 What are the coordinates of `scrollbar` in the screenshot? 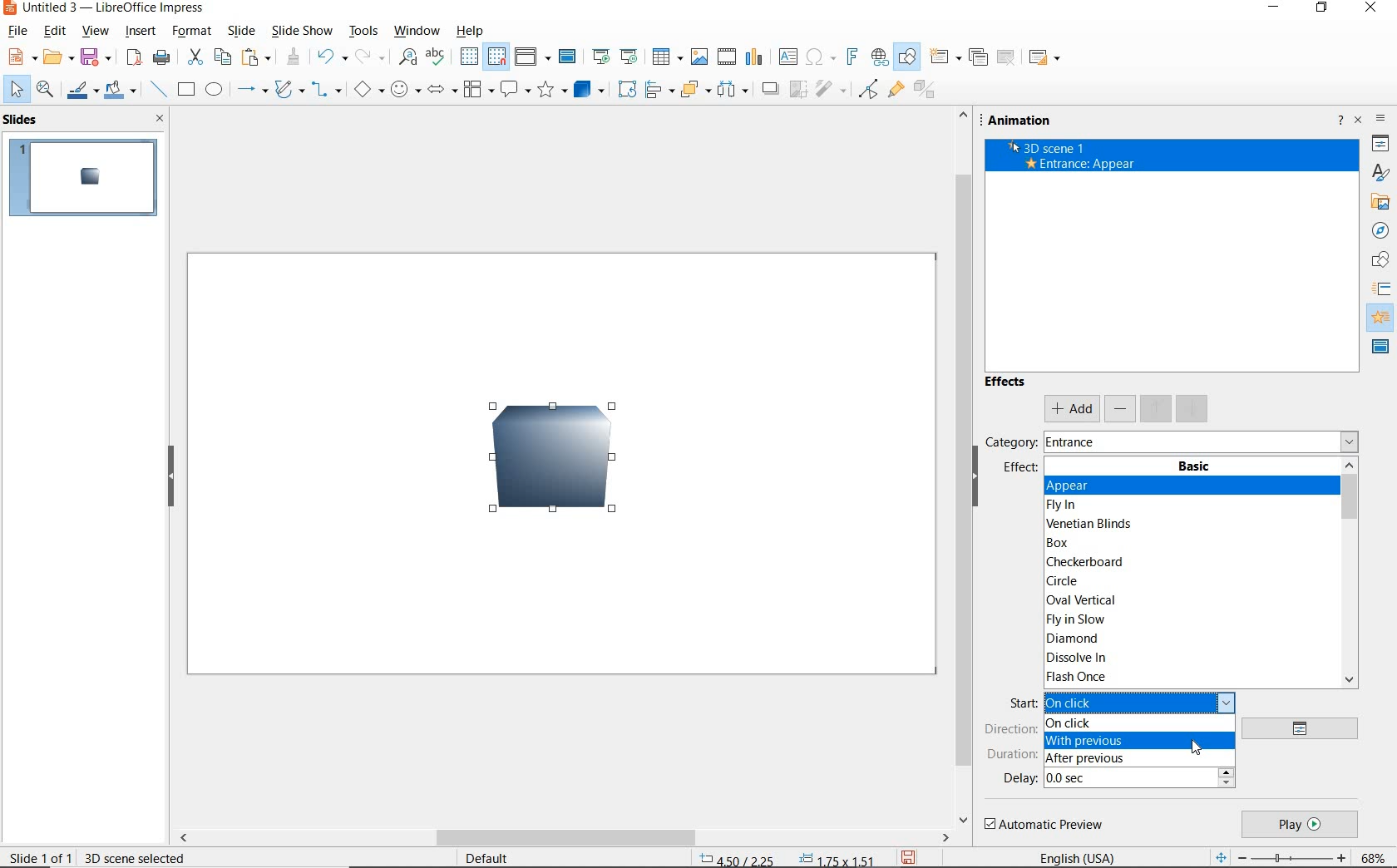 It's located at (564, 839).